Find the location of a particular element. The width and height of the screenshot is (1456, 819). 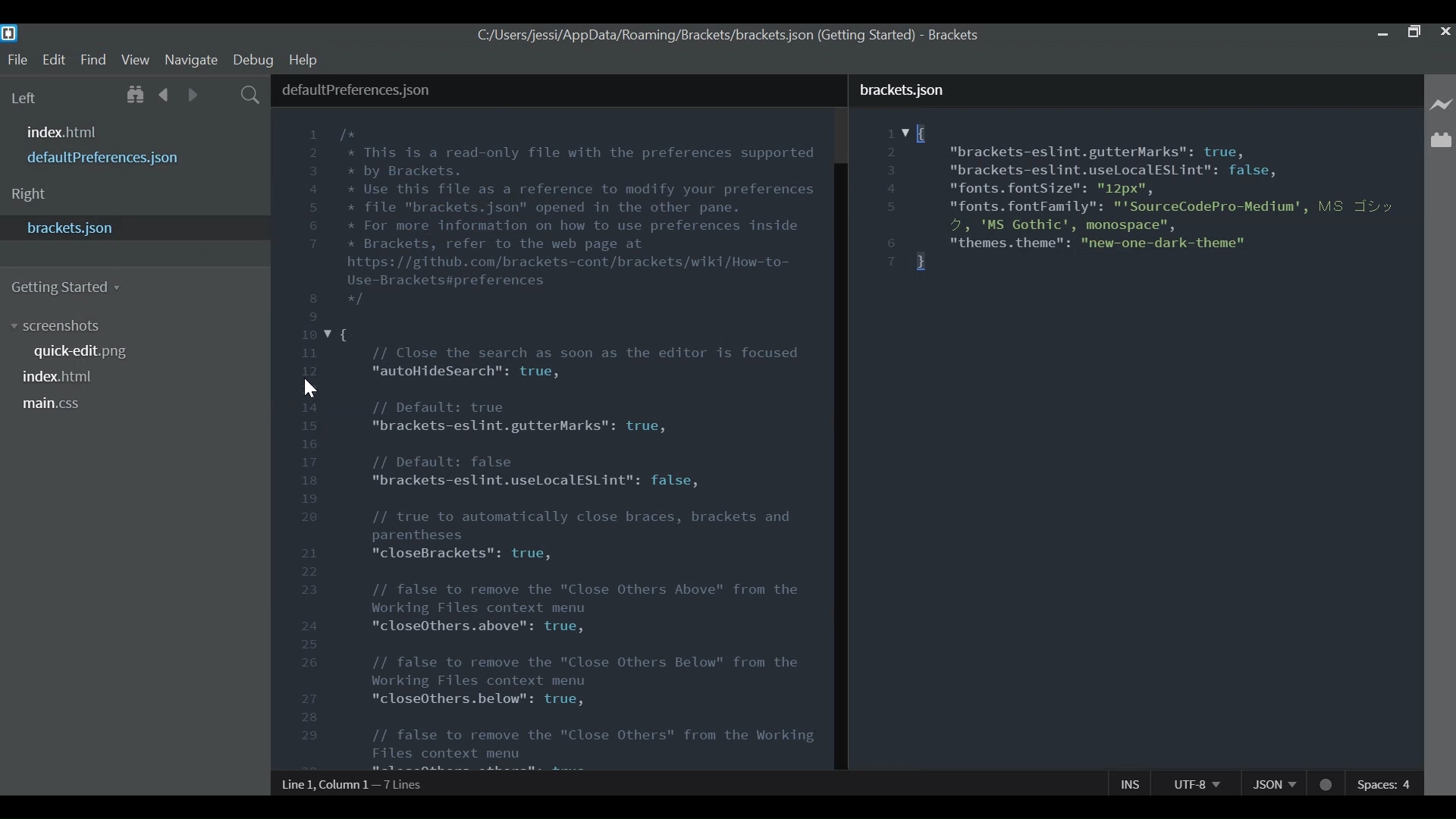

Select File Type - JSON is located at coordinates (1273, 783).